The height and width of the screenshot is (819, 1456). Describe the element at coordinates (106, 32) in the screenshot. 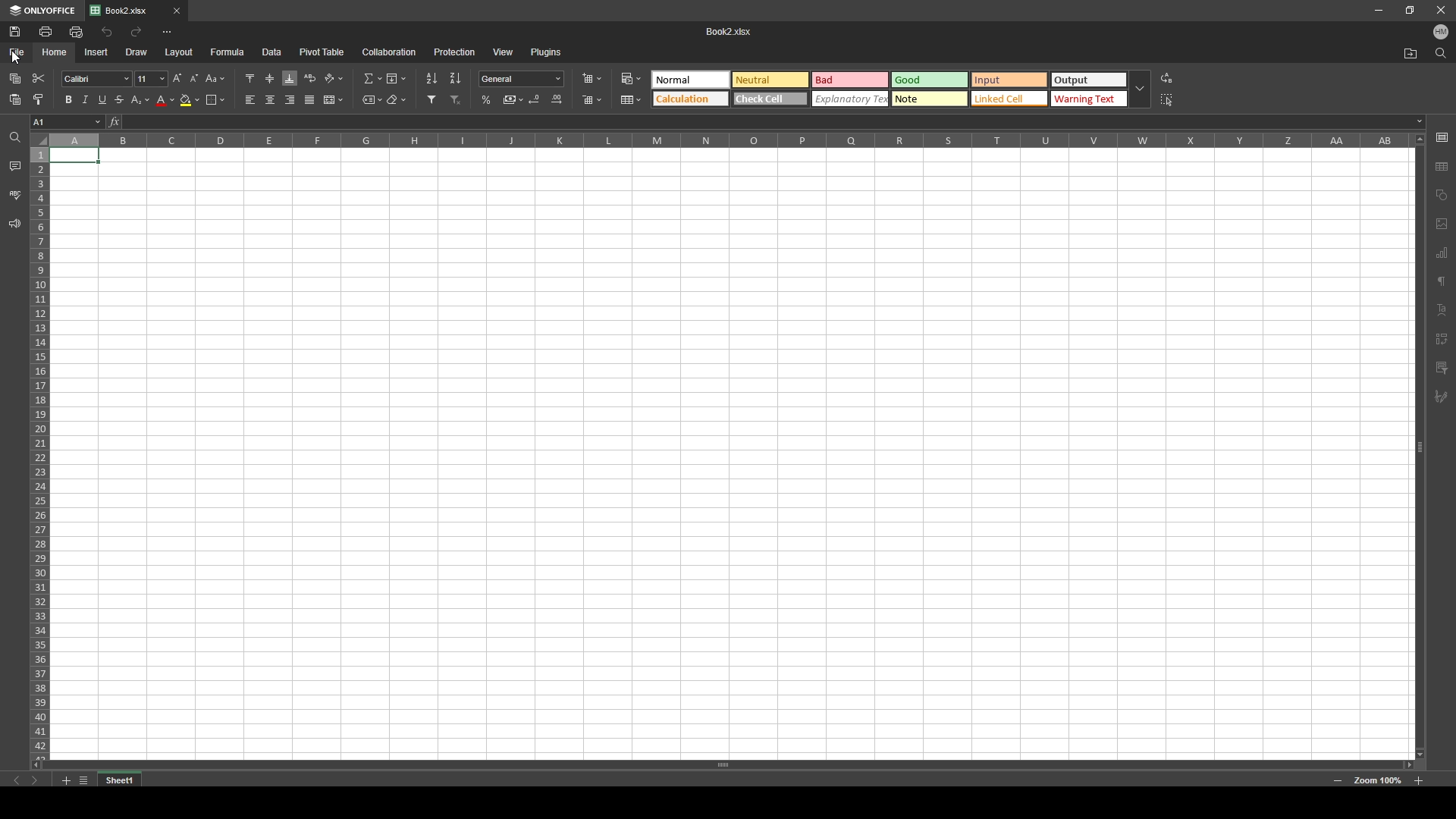

I see `undo` at that location.